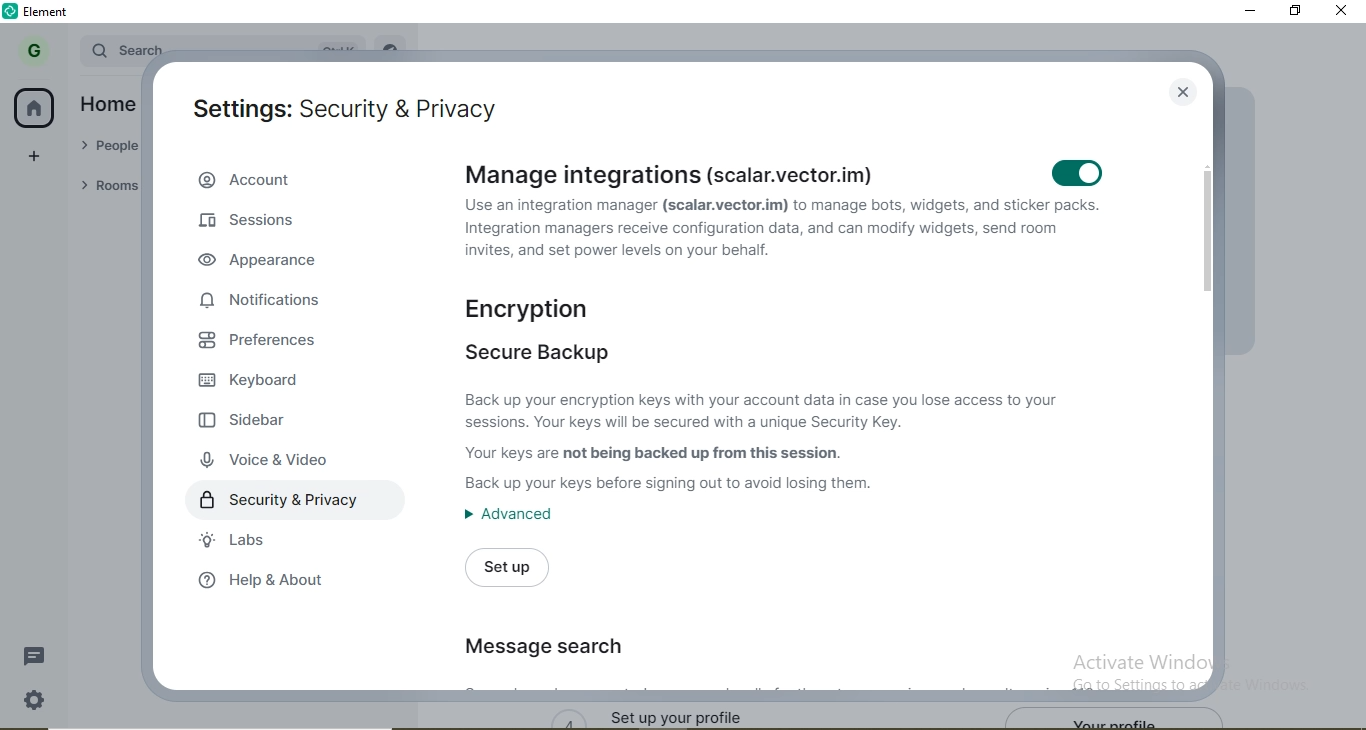 The height and width of the screenshot is (730, 1366). Describe the element at coordinates (267, 226) in the screenshot. I see `sessions` at that location.